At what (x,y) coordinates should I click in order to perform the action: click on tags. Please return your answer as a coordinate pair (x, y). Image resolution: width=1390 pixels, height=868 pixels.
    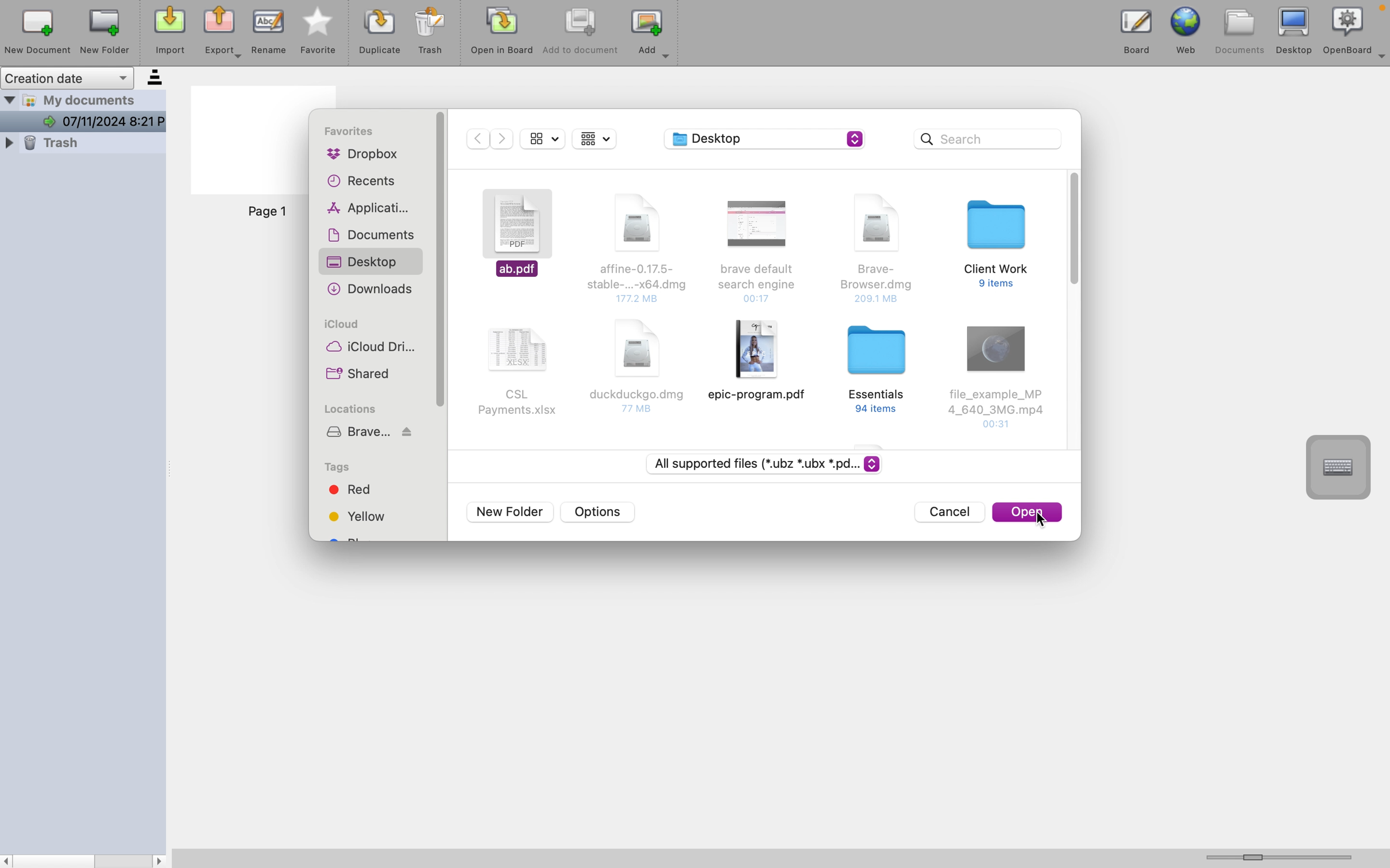
    Looking at the image, I should click on (338, 466).